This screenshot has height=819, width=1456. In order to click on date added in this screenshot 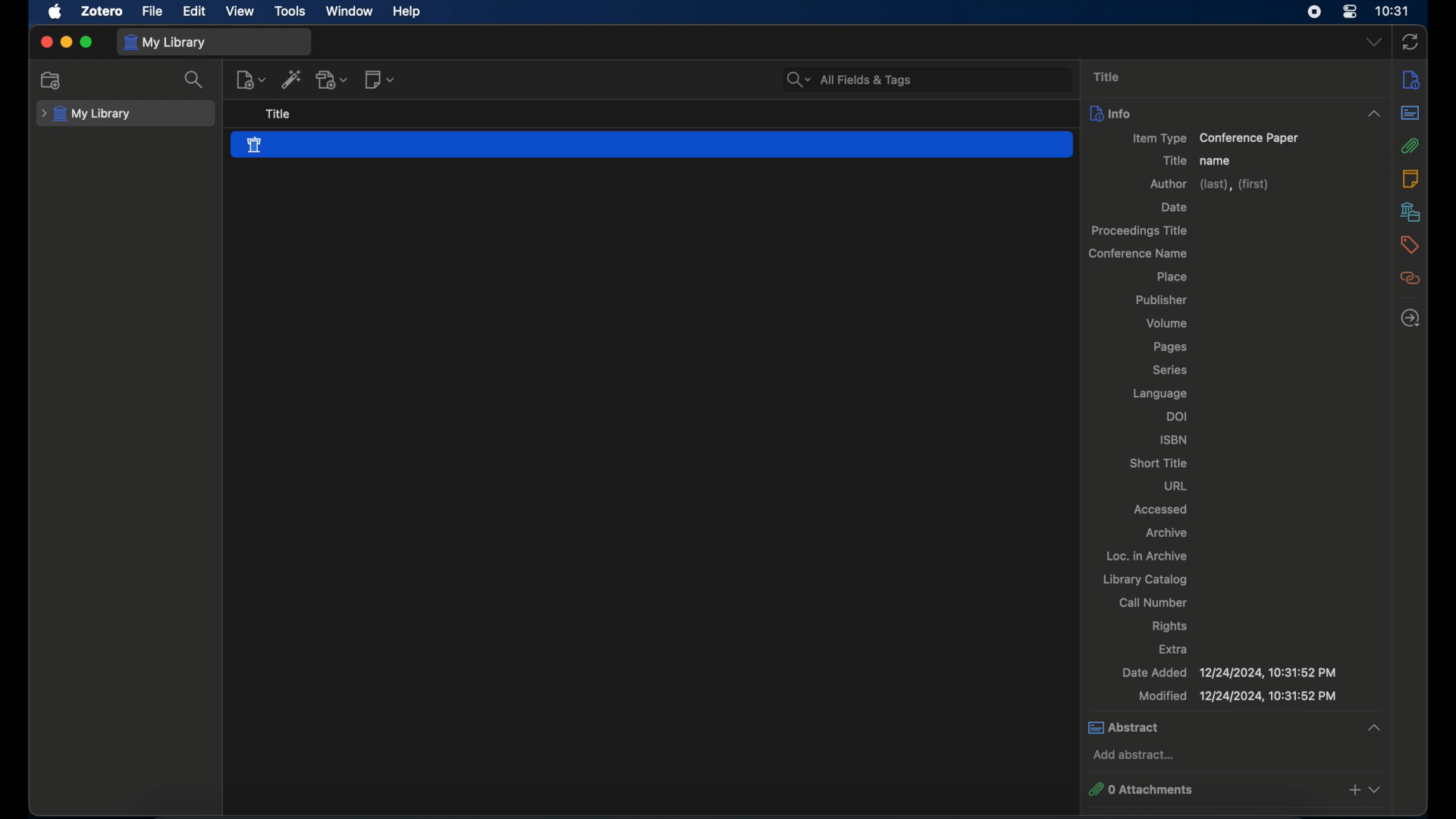, I will do `click(1229, 673)`.